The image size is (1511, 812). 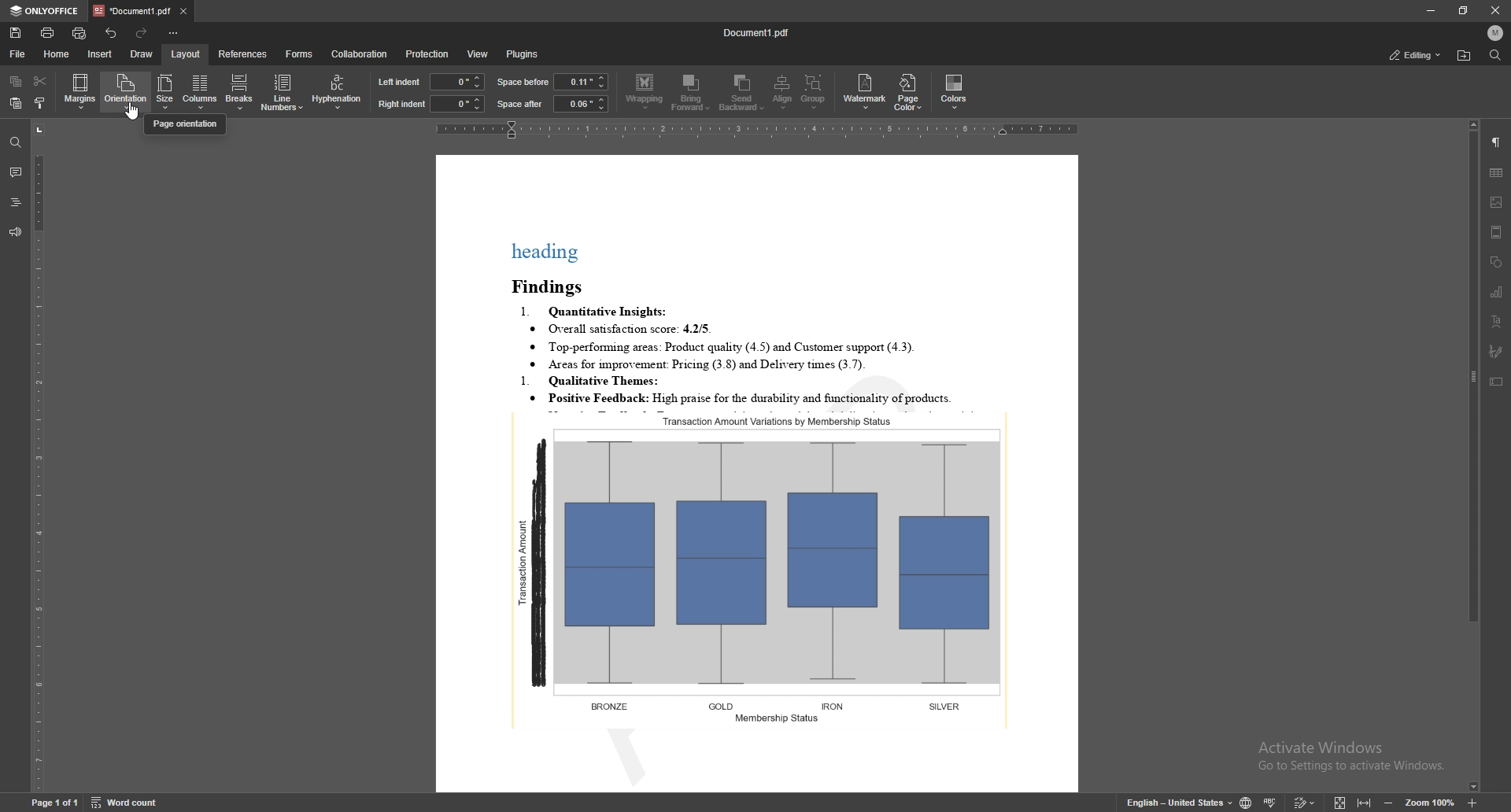 I want to click on close, so click(x=1492, y=10).